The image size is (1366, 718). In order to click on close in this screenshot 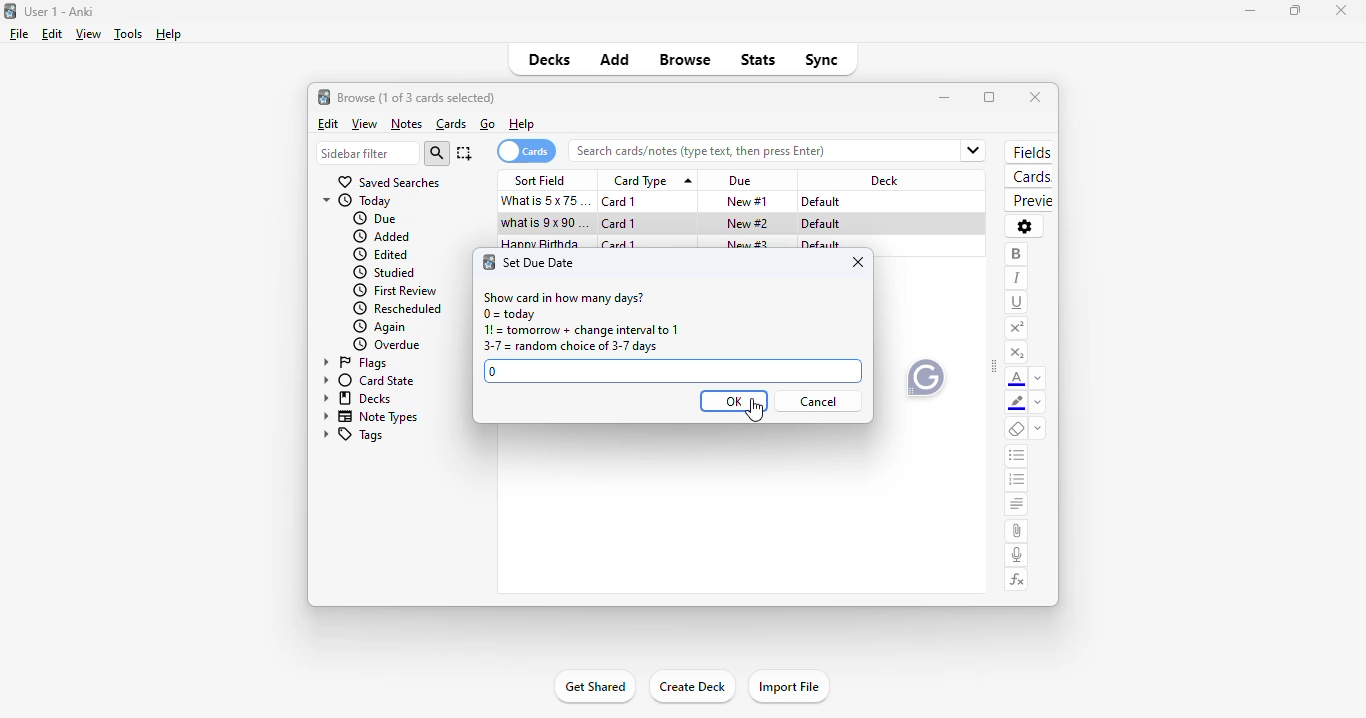, I will do `click(1035, 97)`.